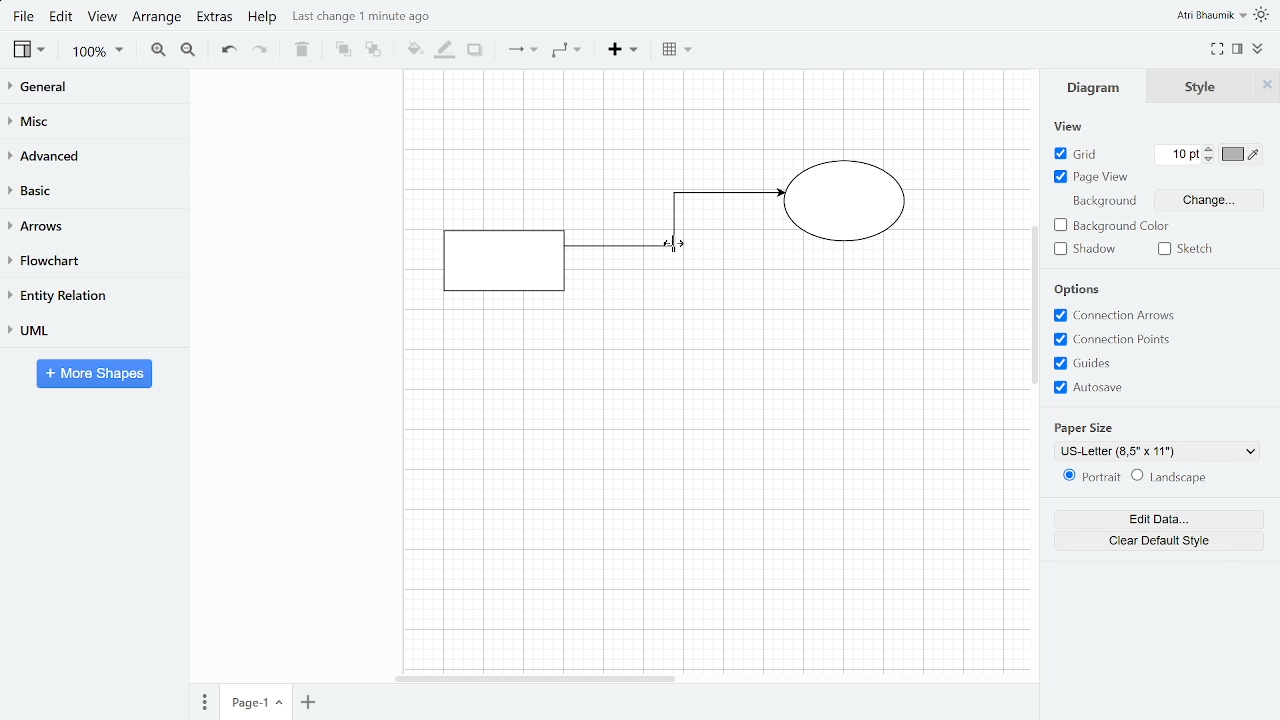 This screenshot has width=1280, height=720. Describe the element at coordinates (1035, 304) in the screenshot. I see `Vertical scrollbar` at that location.